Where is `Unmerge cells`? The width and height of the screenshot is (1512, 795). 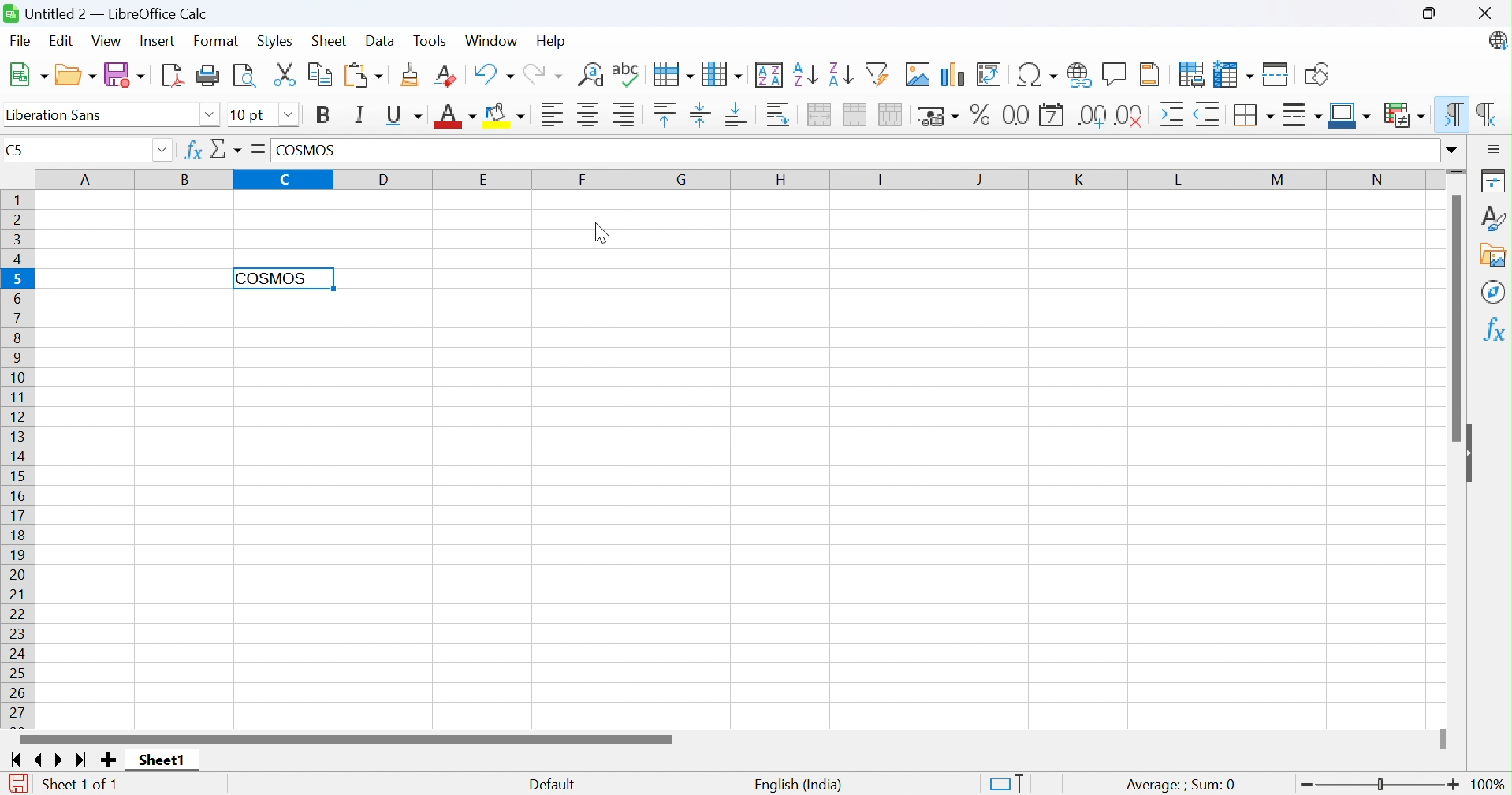
Unmerge cells is located at coordinates (892, 115).